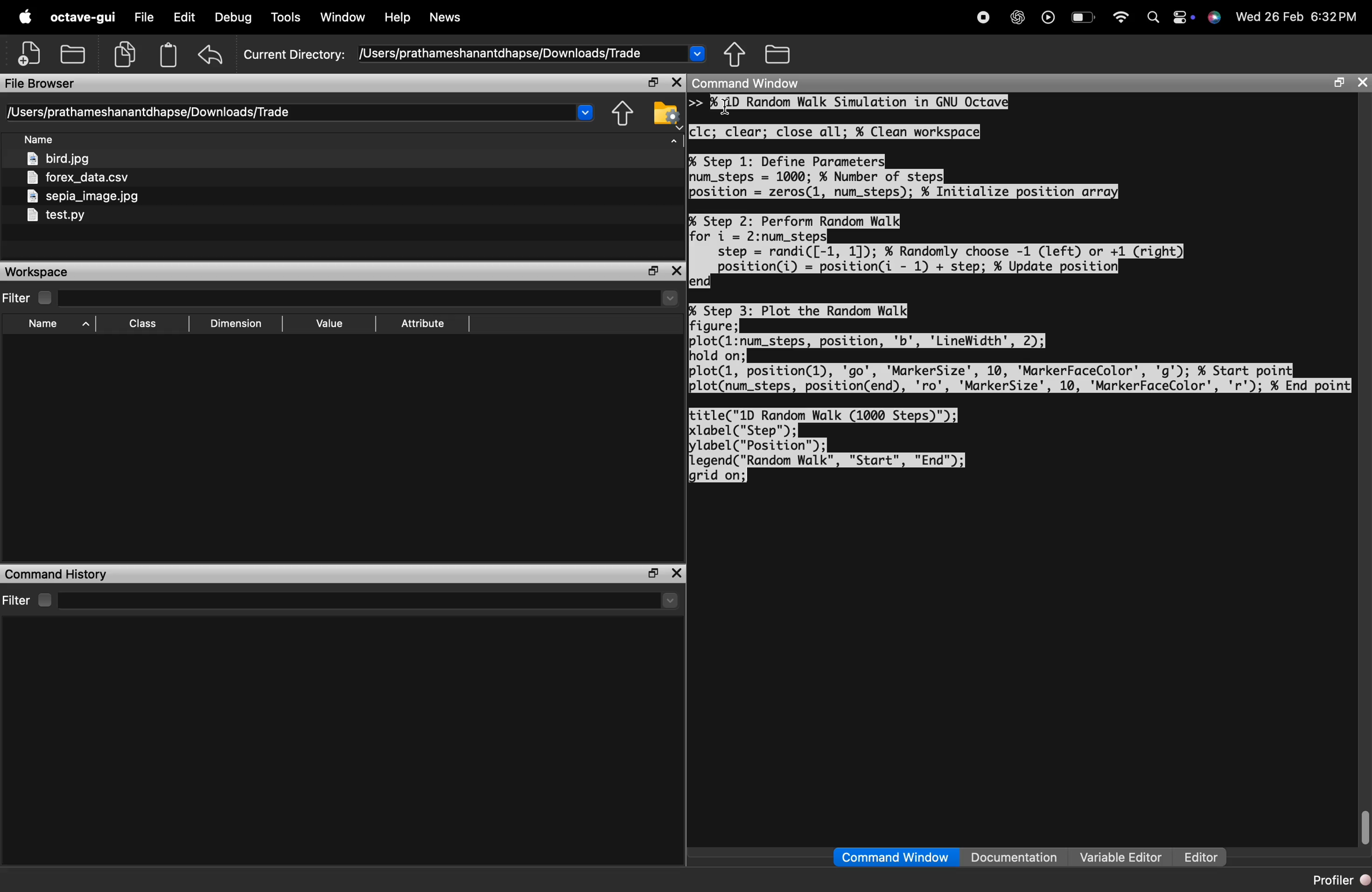 Image resolution: width=1372 pixels, height=892 pixels. Describe the element at coordinates (648, 573) in the screenshot. I see `maximize` at that location.